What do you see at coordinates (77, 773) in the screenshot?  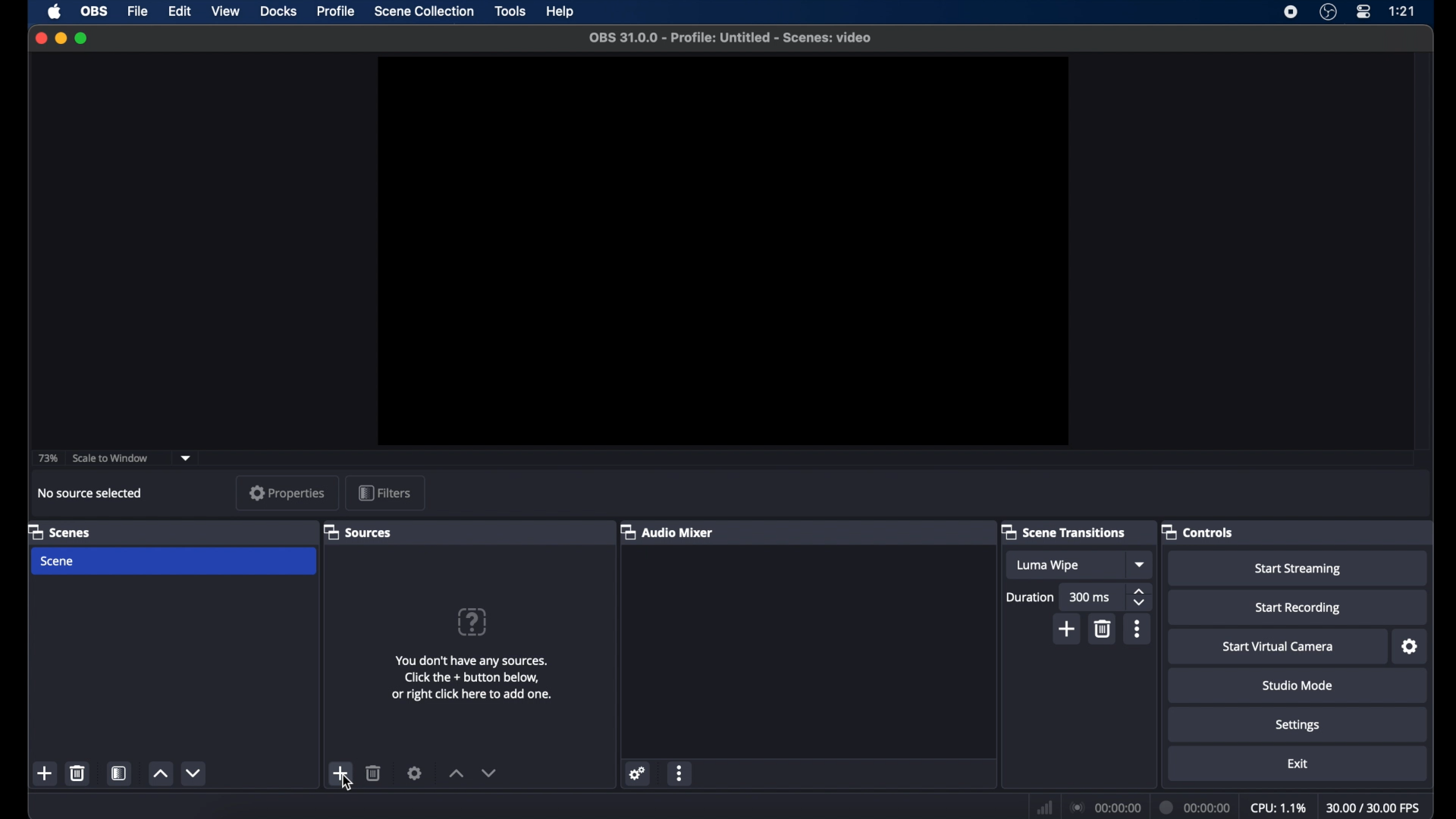 I see `delete` at bounding box center [77, 773].